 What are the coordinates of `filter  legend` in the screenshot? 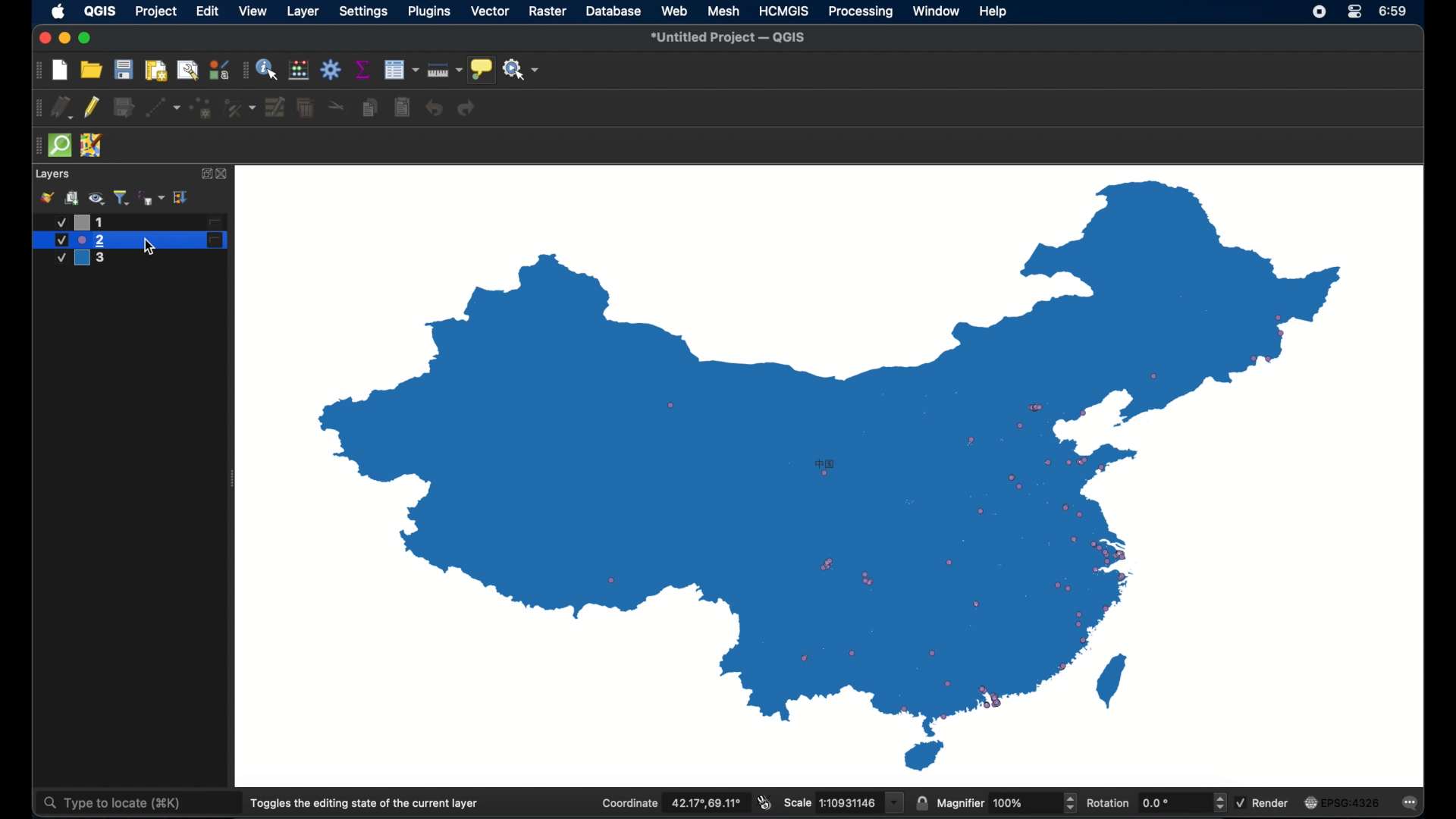 It's located at (122, 197).